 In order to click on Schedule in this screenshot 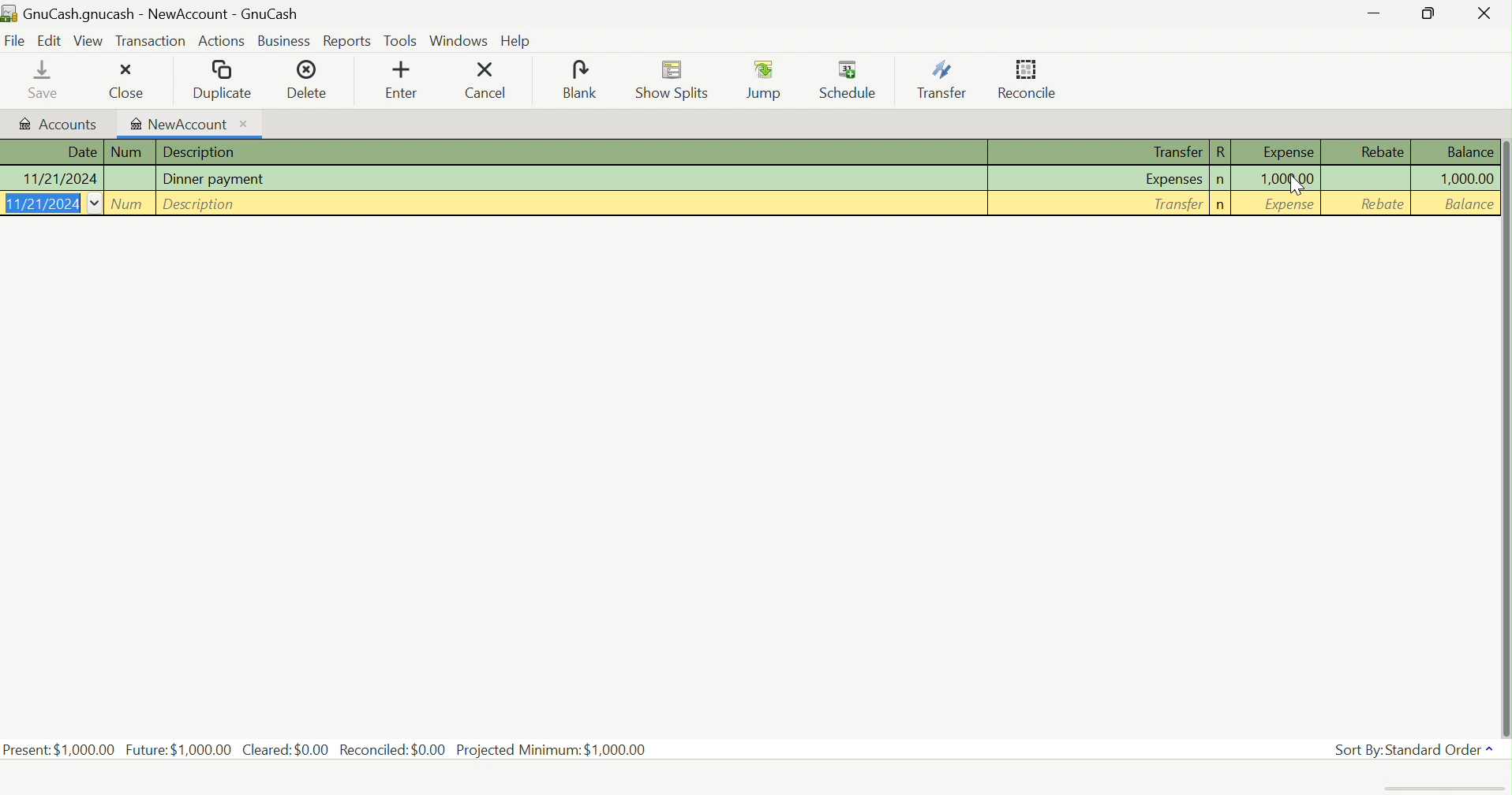, I will do `click(849, 77)`.